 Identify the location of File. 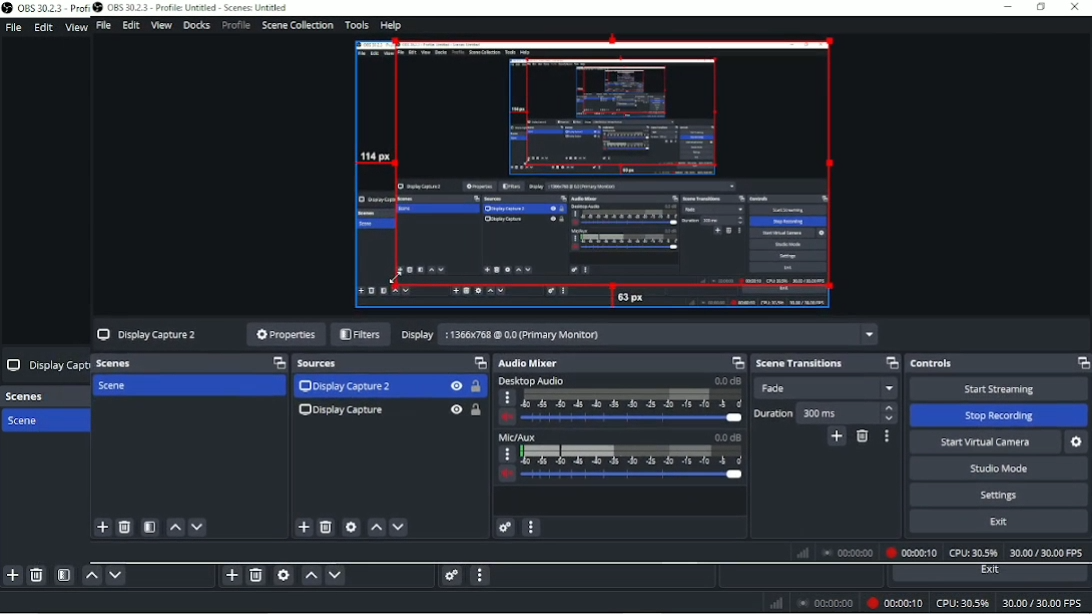
(16, 27).